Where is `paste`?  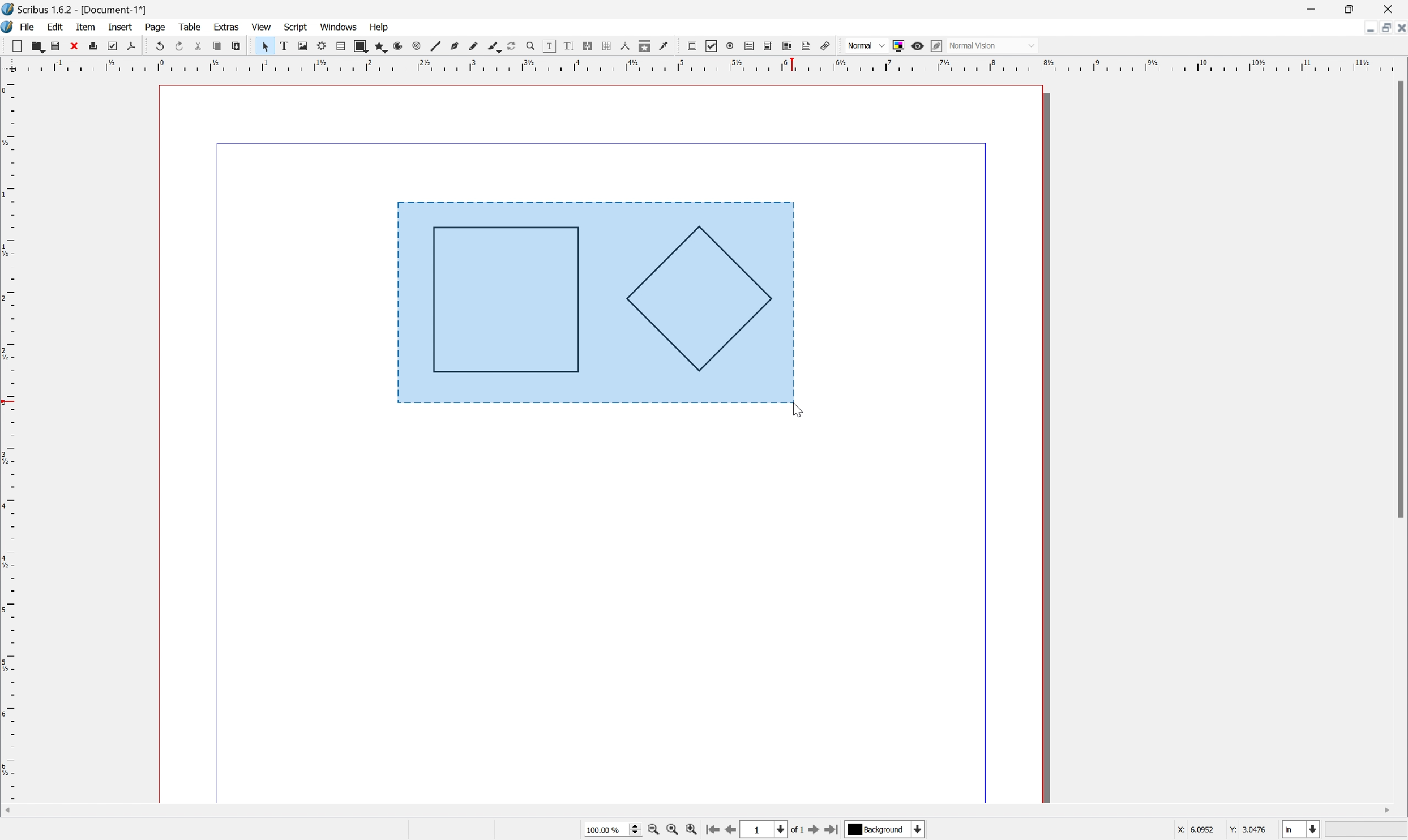 paste is located at coordinates (235, 46).